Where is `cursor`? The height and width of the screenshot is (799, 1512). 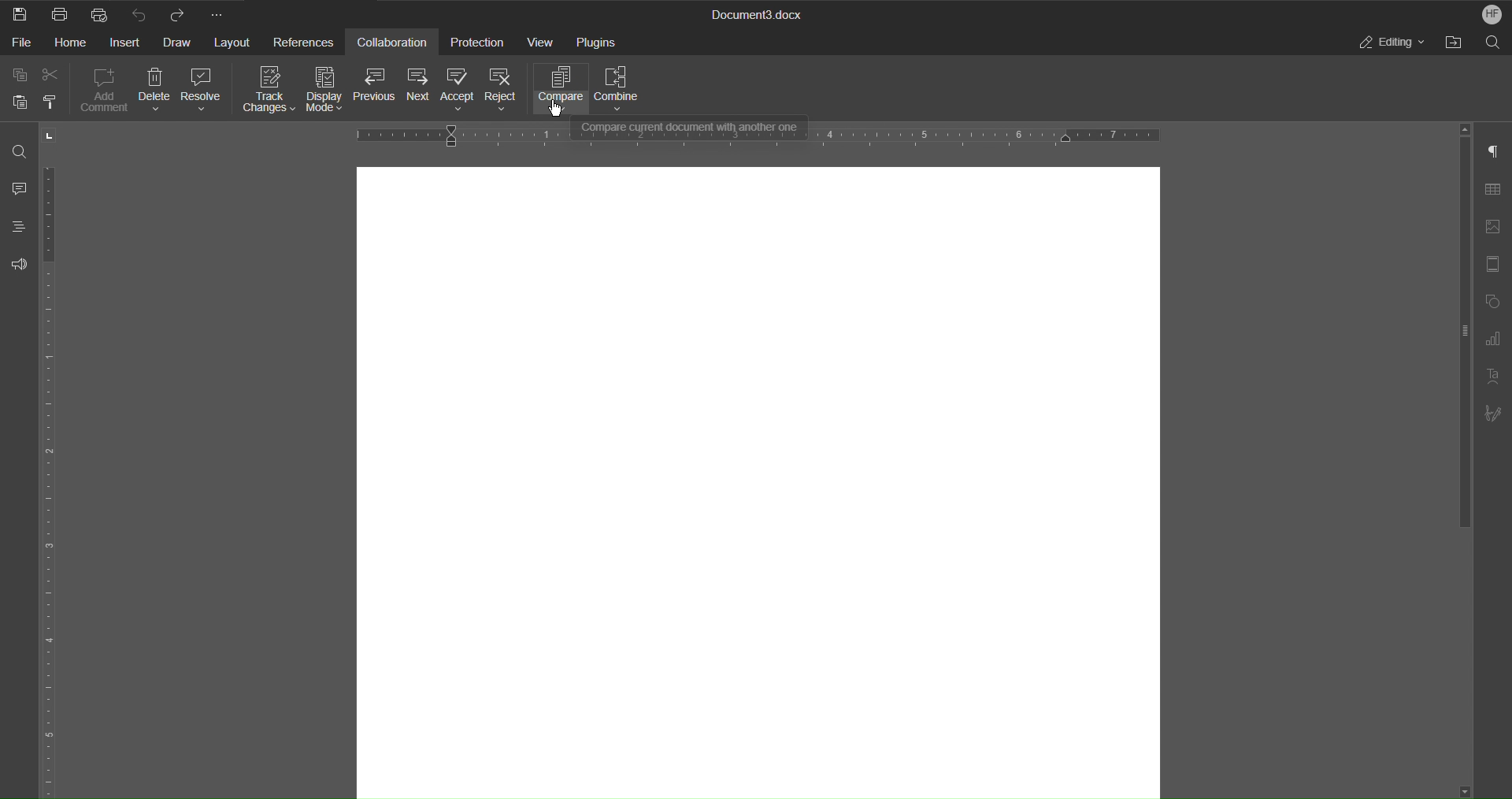 cursor is located at coordinates (556, 109).